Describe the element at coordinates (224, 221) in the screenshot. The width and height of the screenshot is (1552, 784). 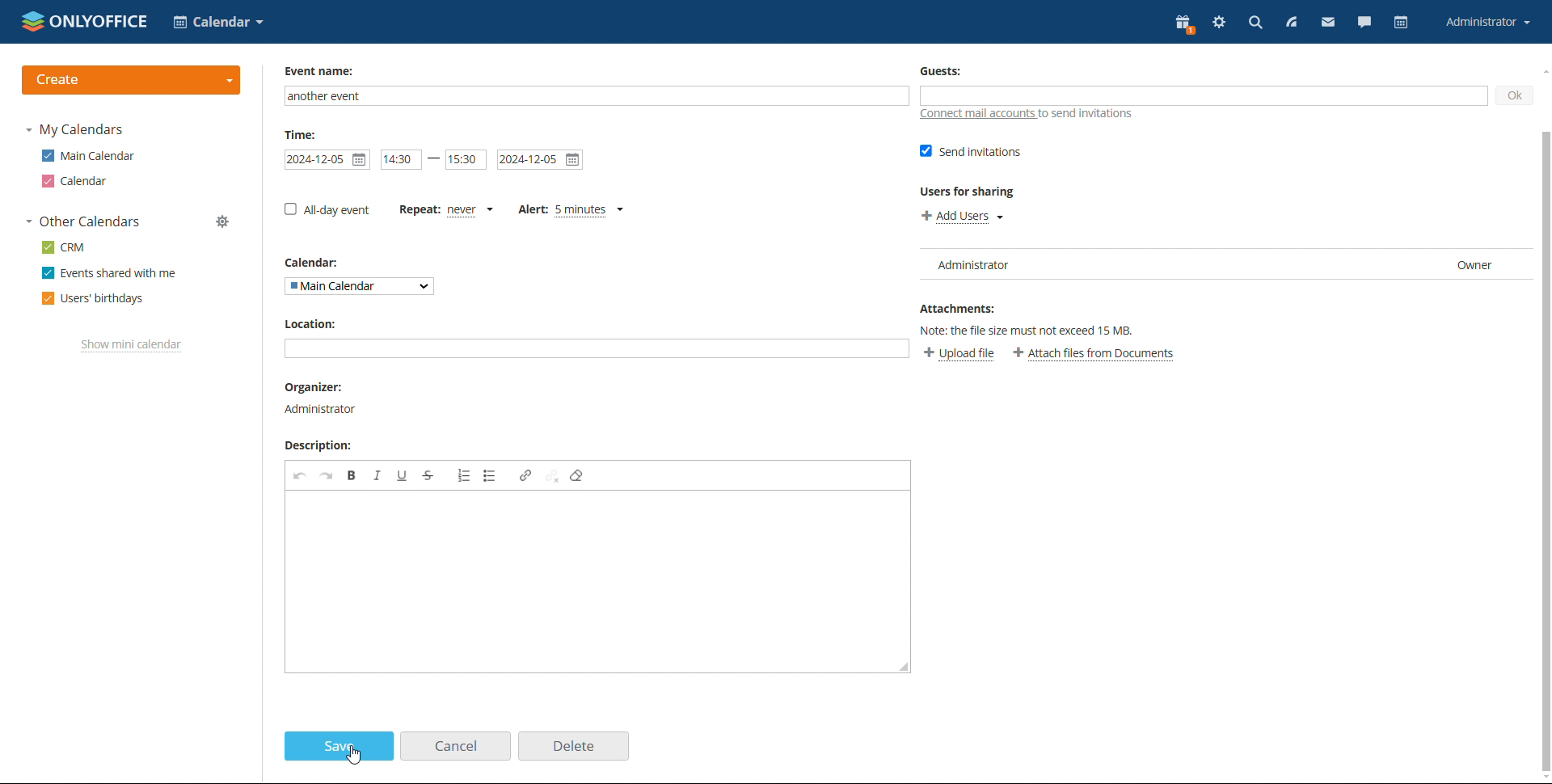
I see `manage` at that location.